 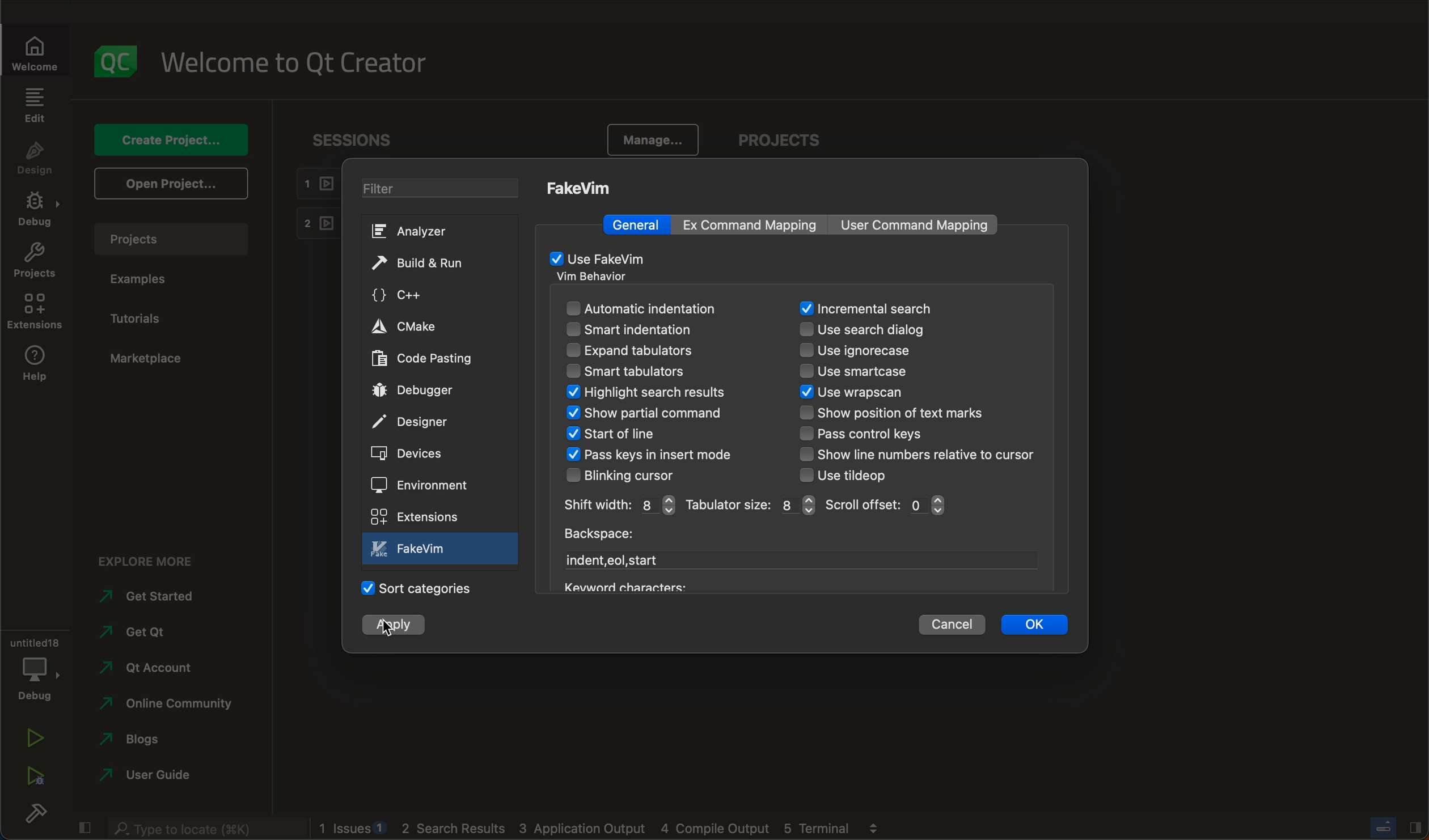 What do you see at coordinates (38, 158) in the screenshot?
I see `design` at bounding box center [38, 158].